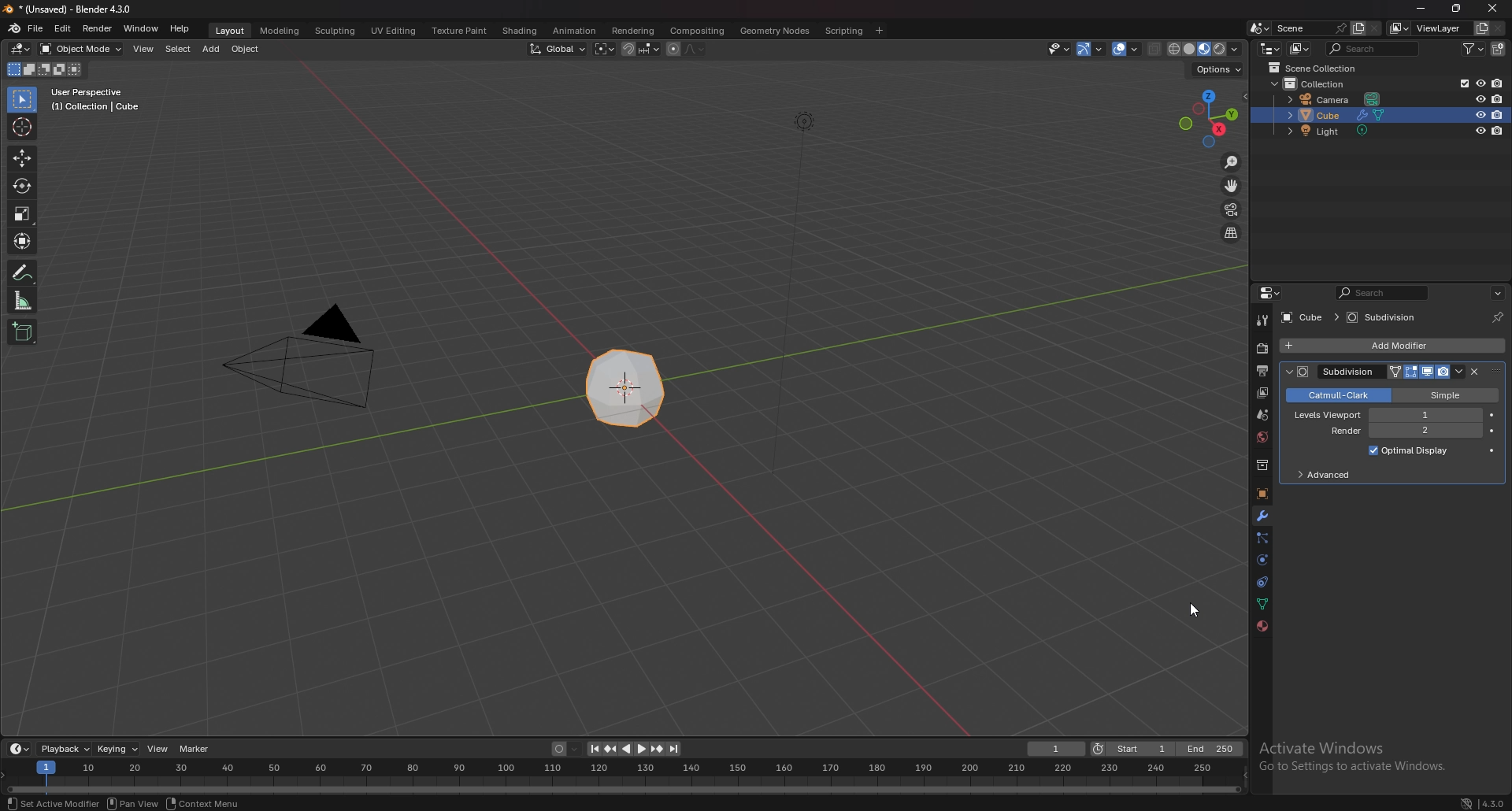  What do you see at coordinates (1262, 321) in the screenshot?
I see `tool` at bounding box center [1262, 321].